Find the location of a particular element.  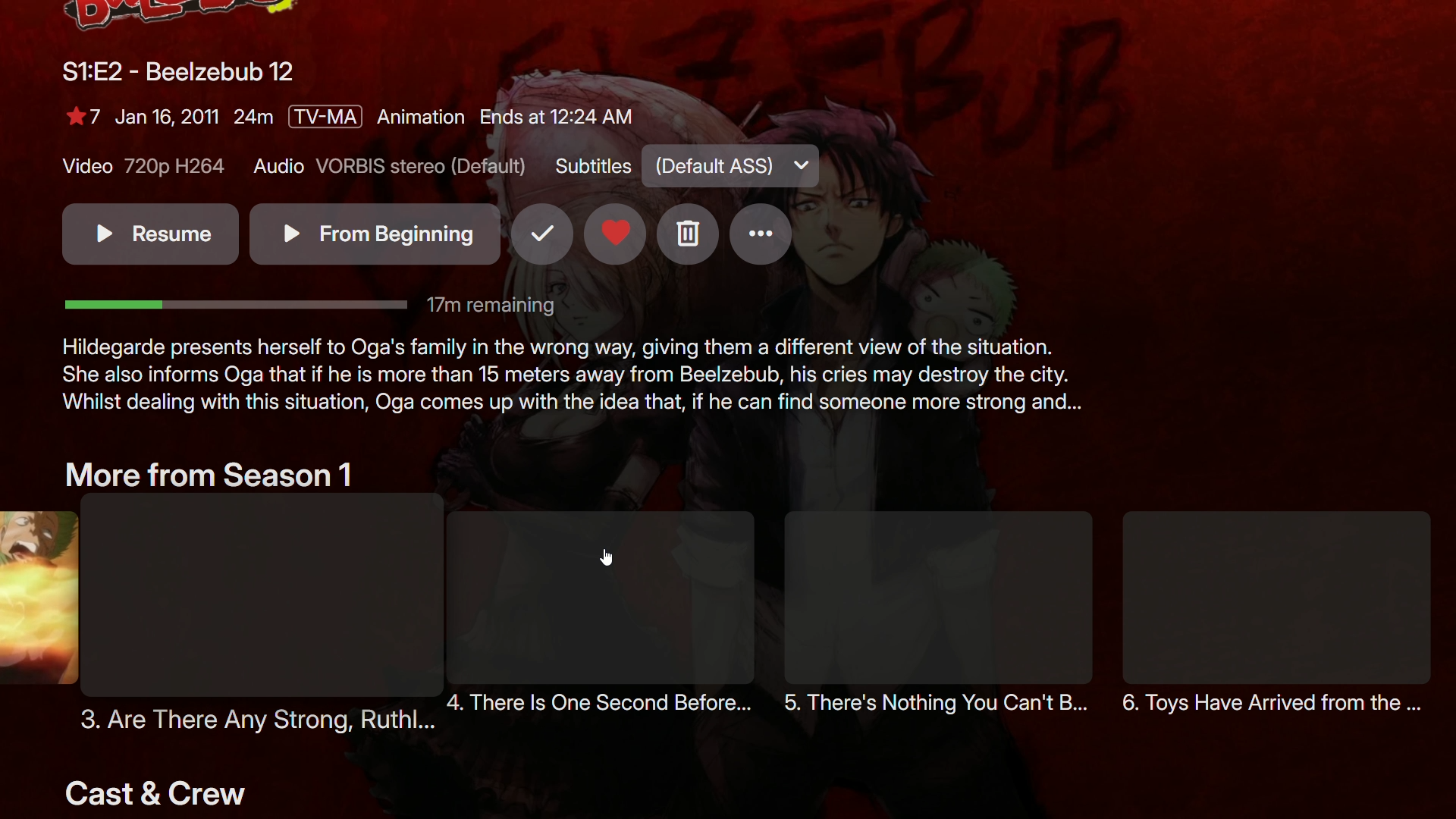

Favorites is located at coordinates (614, 238).